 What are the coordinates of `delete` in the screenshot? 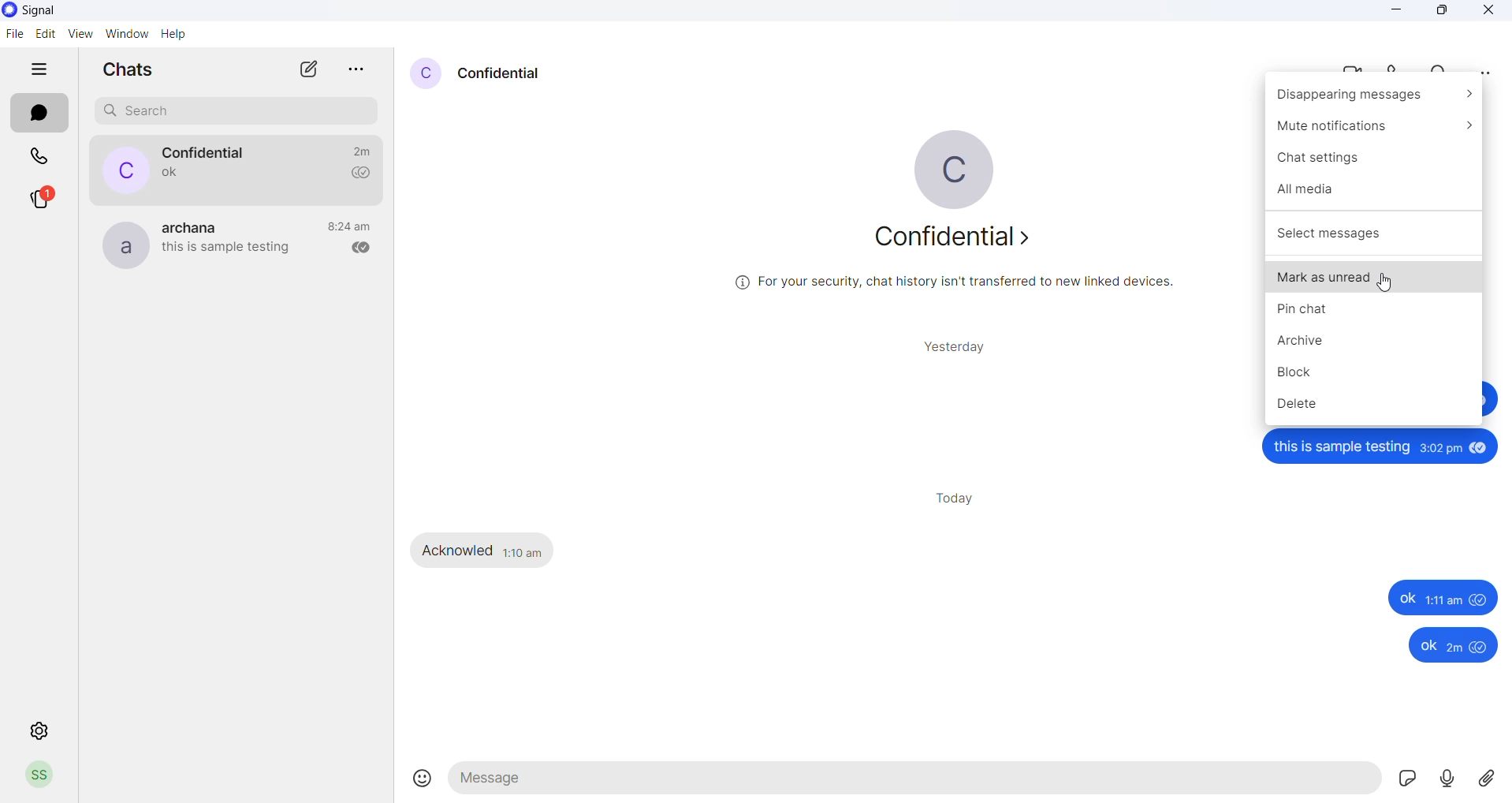 It's located at (1376, 408).